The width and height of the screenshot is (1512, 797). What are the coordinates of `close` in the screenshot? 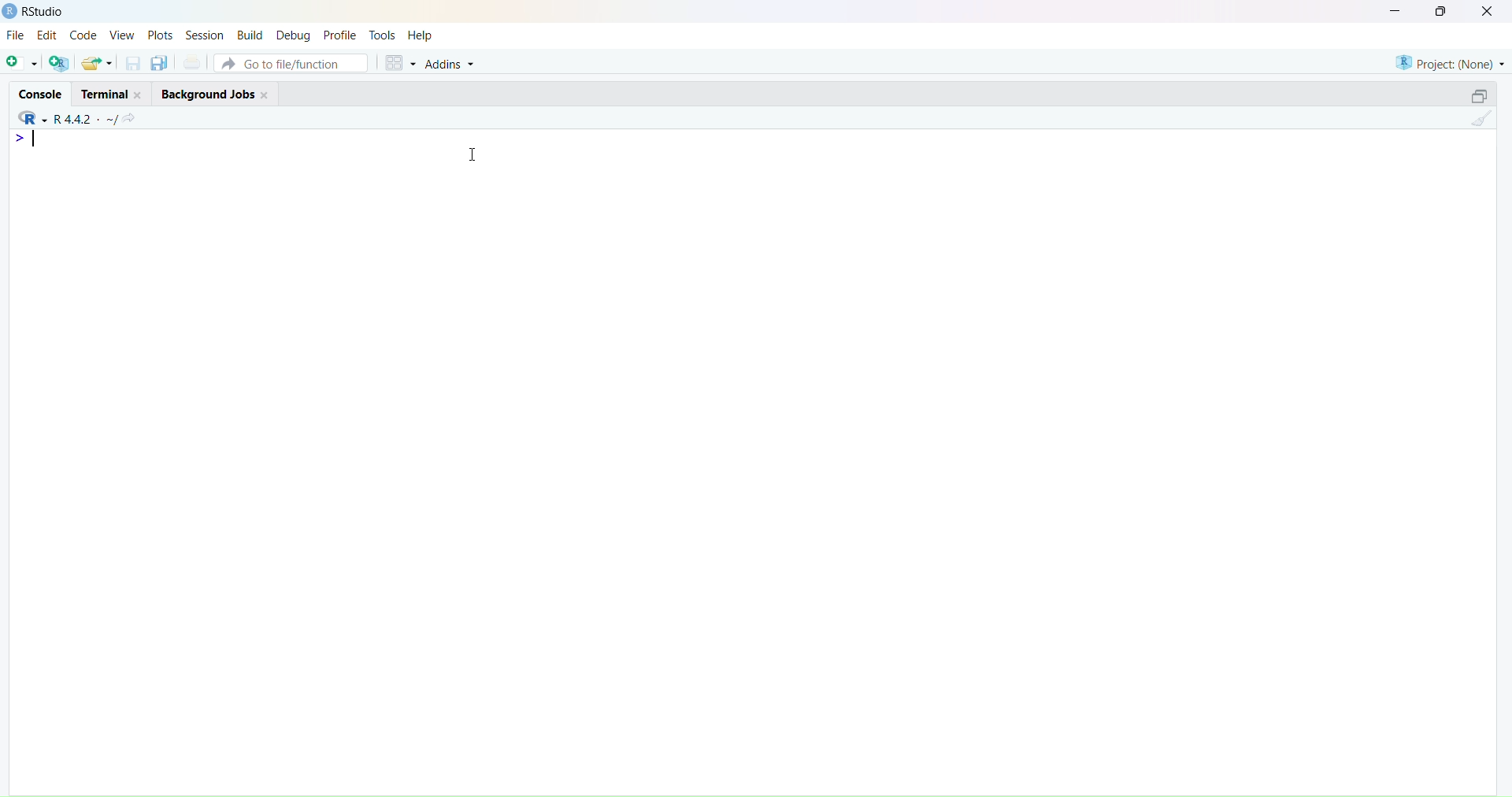 It's located at (139, 95).